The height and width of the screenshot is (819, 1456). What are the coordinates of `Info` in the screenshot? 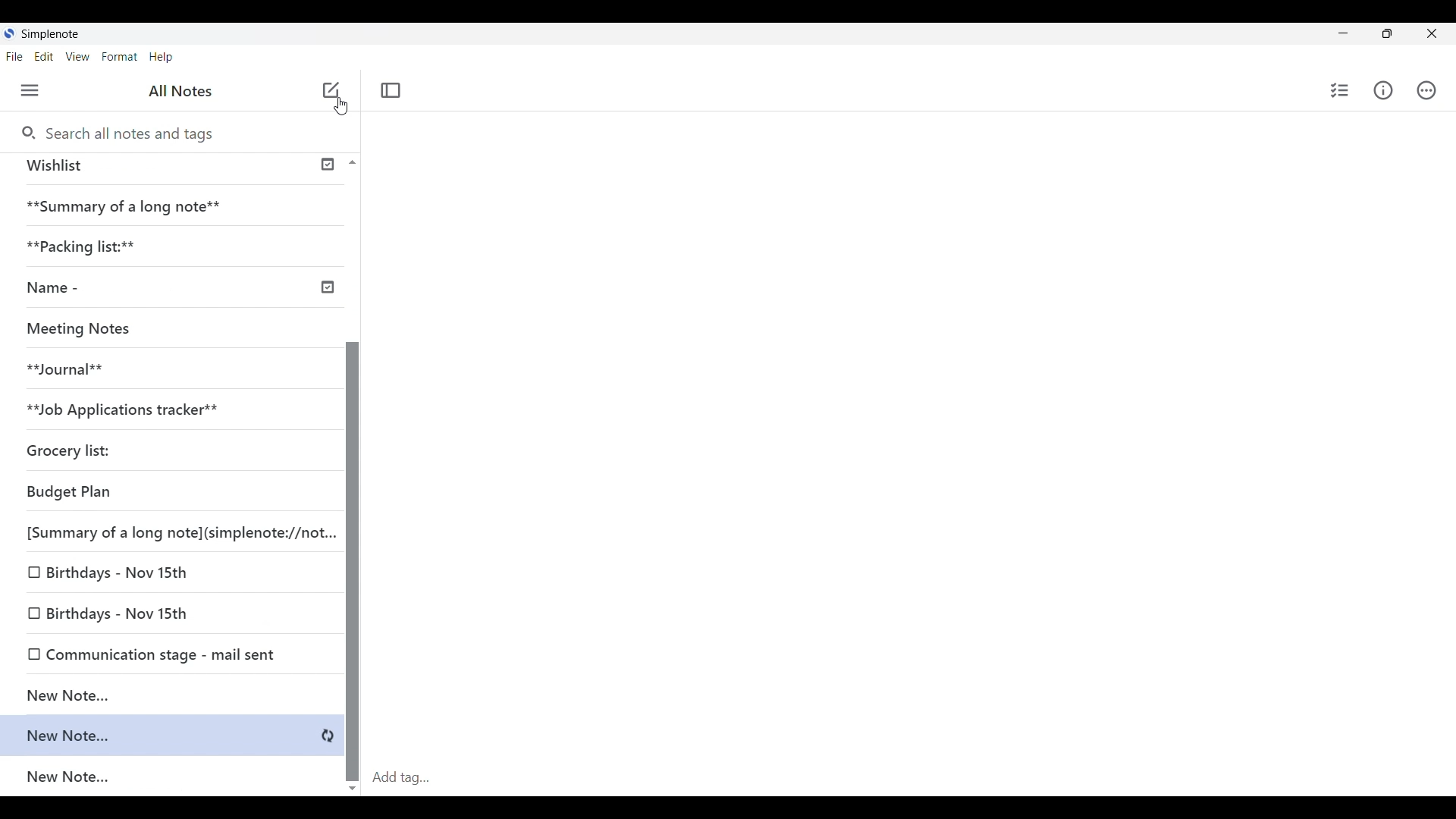 It's located at (1385, 91).